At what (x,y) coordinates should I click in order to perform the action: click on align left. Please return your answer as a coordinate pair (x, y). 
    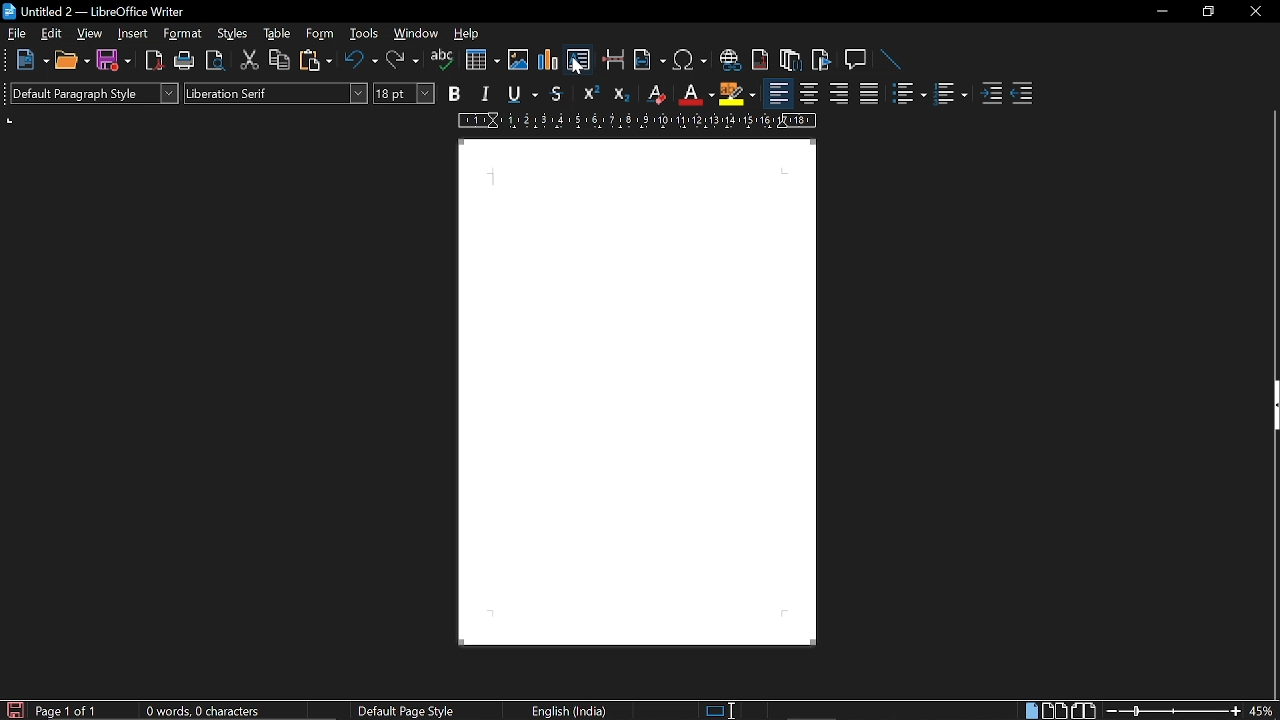
    Looking at the image, I should click on (778, 94).